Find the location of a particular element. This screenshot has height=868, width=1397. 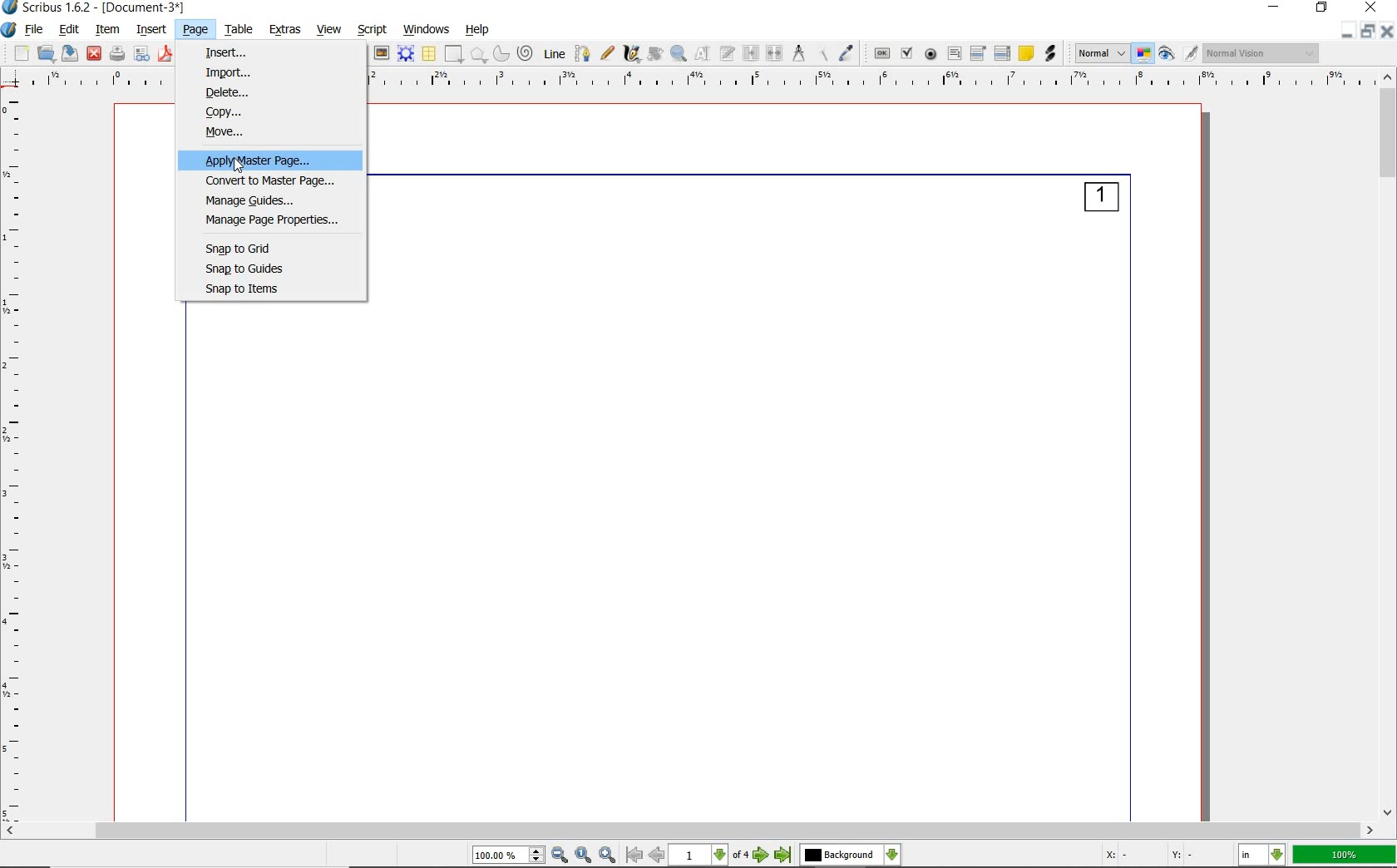

select the current layer is located at coordinates (851, 856).